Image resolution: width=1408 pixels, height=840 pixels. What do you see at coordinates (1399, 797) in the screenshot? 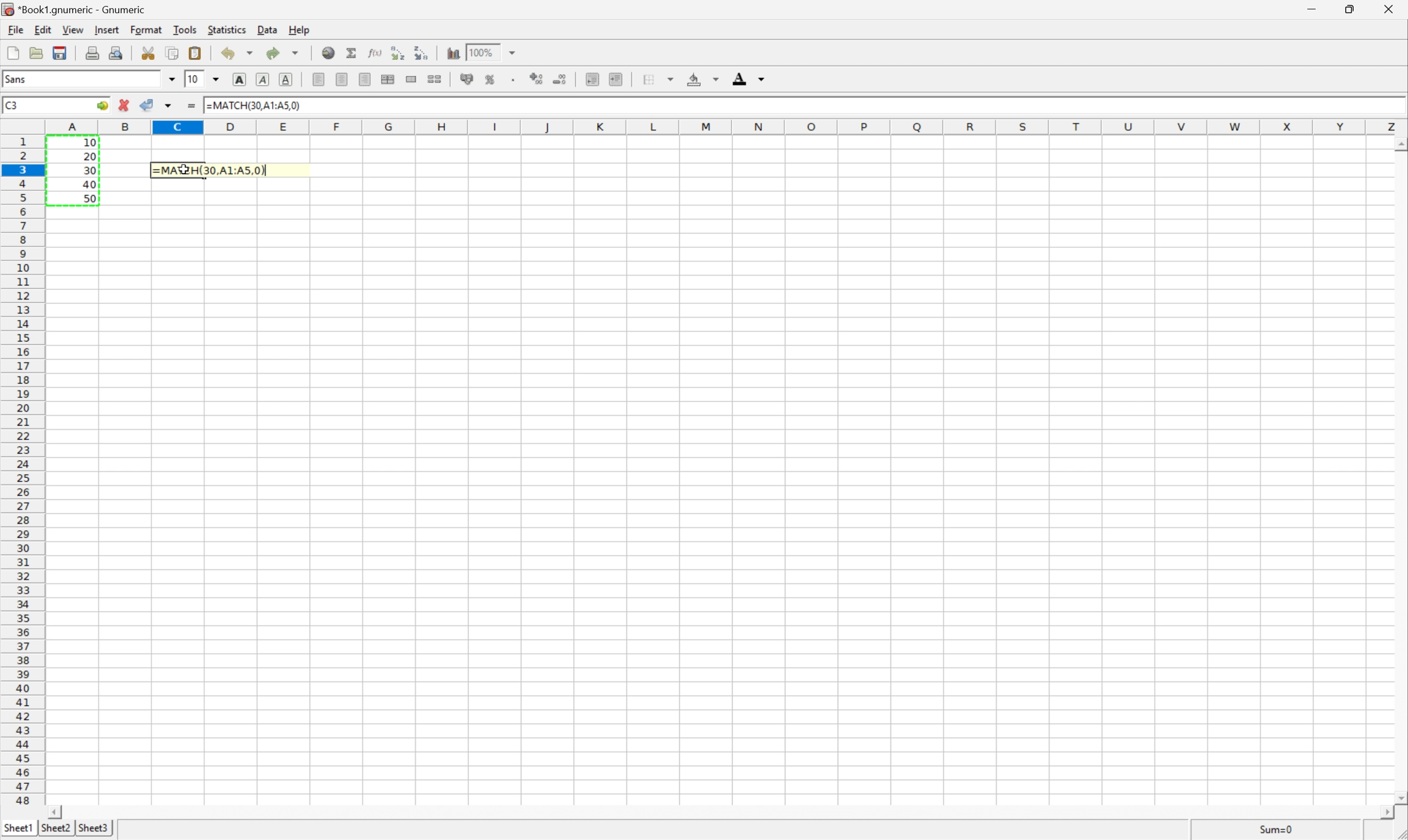
I see `Scroll down` at bounding box center [1399, 797].